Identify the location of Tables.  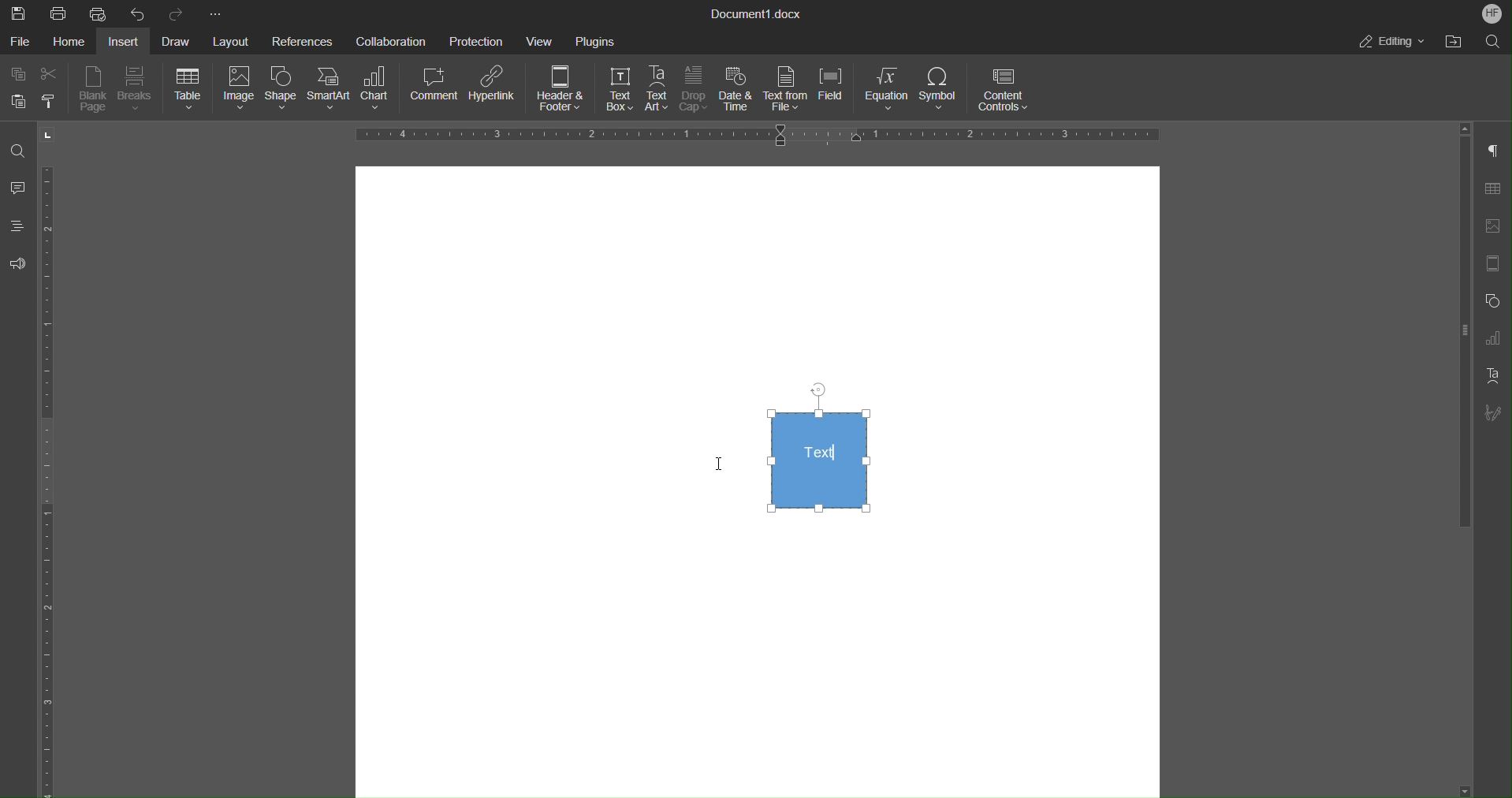
(1498, 188).